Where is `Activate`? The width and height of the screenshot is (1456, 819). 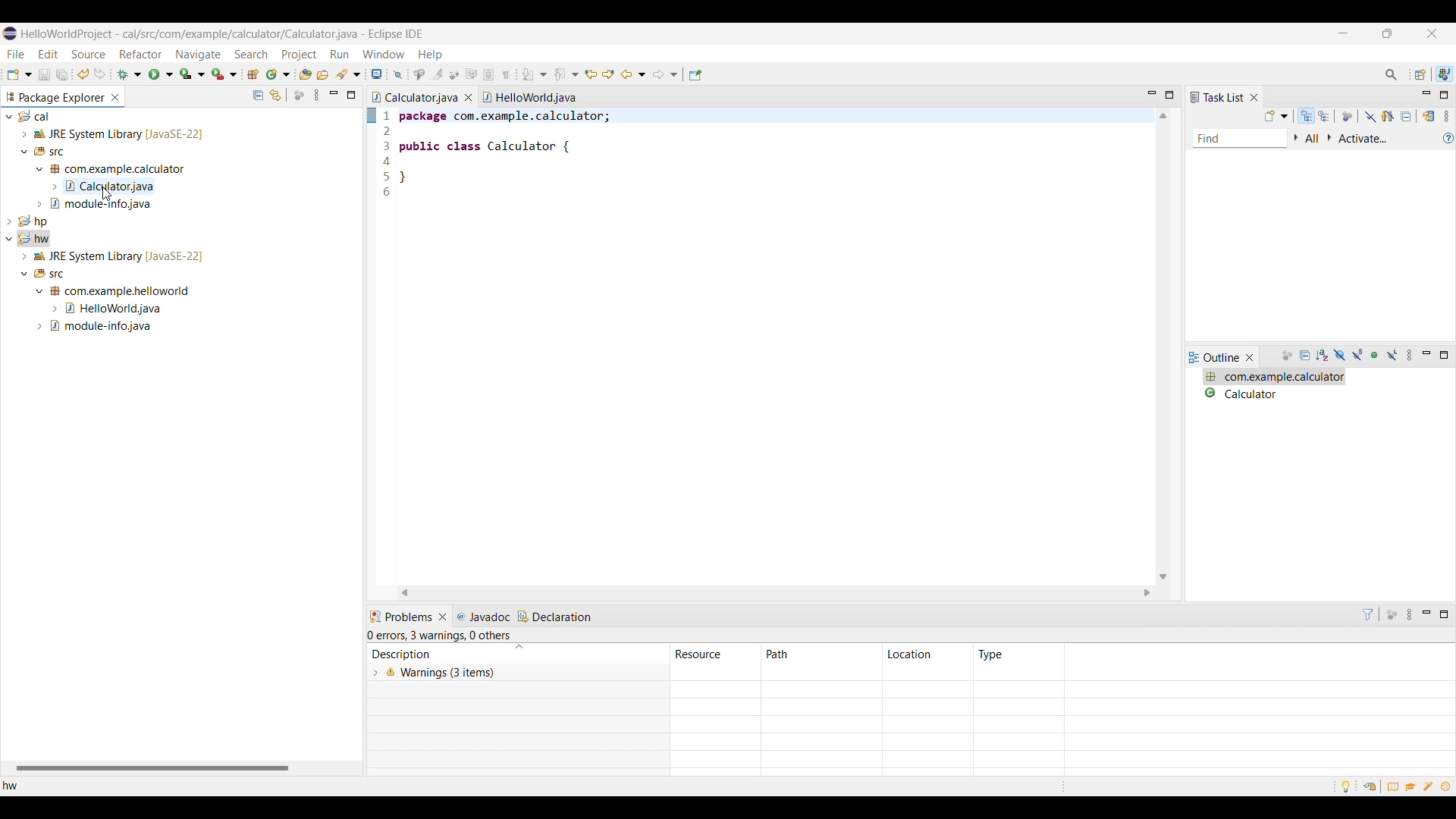
Activate is located at coordinates (1364, 140).